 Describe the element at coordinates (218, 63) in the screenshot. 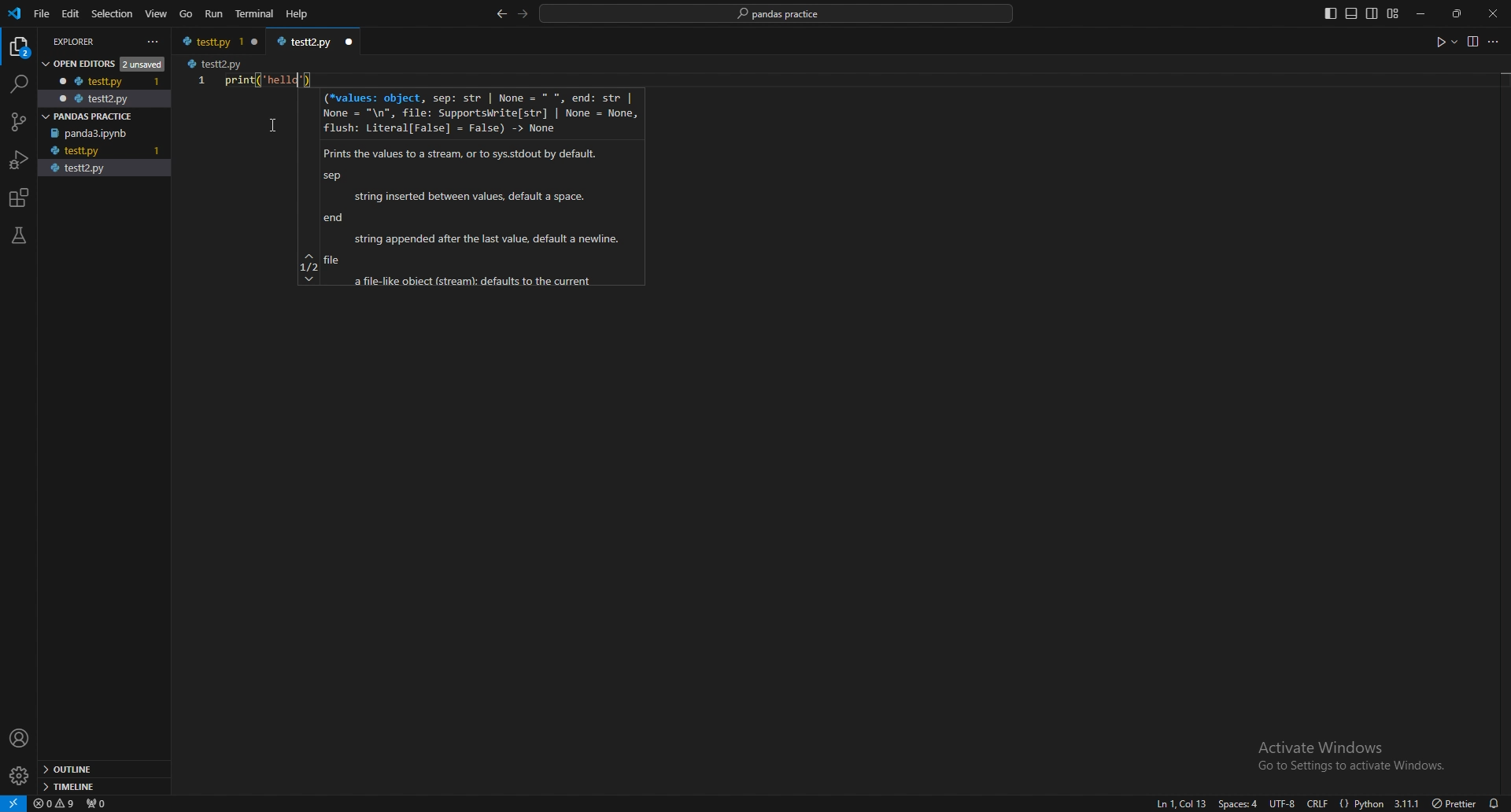

I see `testt2.py` at that location.